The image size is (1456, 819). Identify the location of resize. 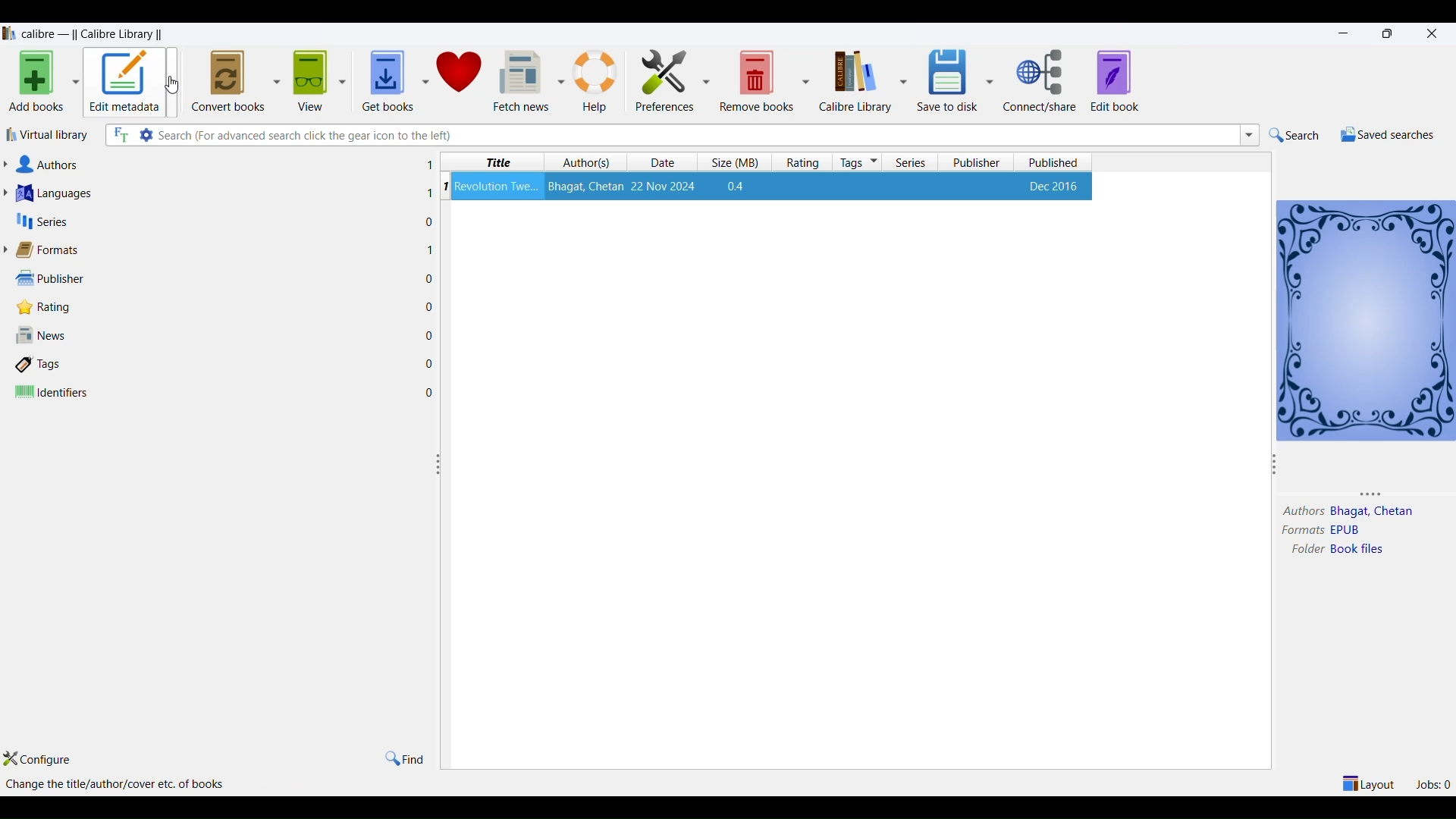
(439, 467).